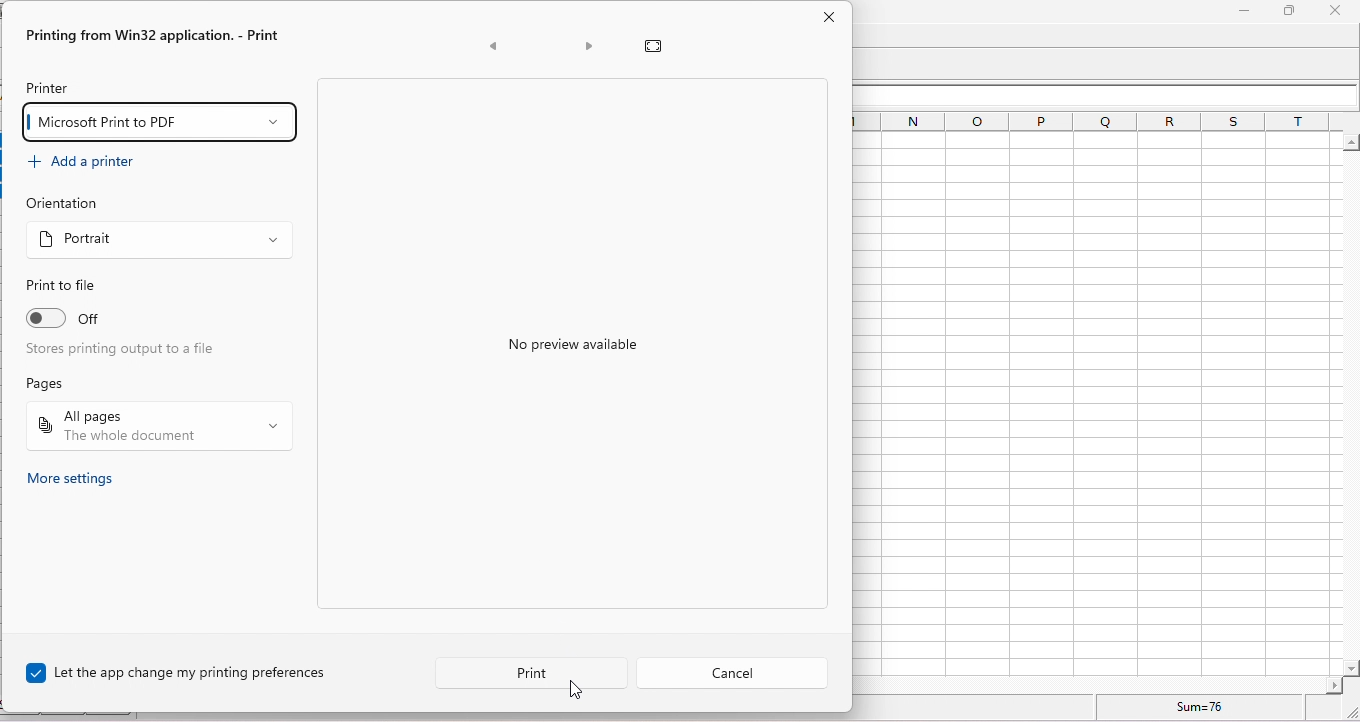 Image resolution: width=1360 pixels, height=722 pixels. What do you see at coordinates (526, 671) in the screenshot?
I see `print` at bounding box center [526, 671].